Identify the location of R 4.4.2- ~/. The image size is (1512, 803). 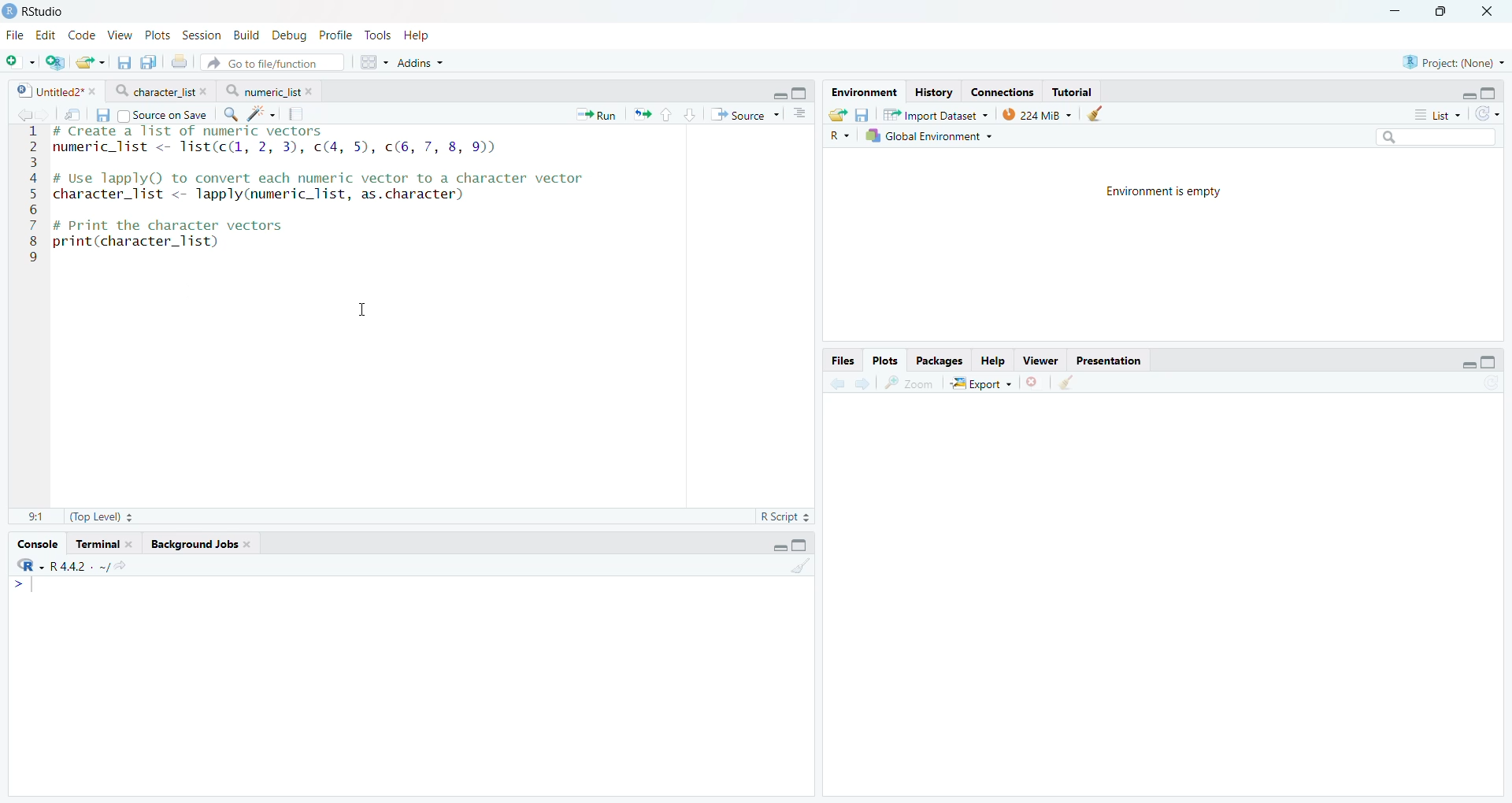
(72, 565).